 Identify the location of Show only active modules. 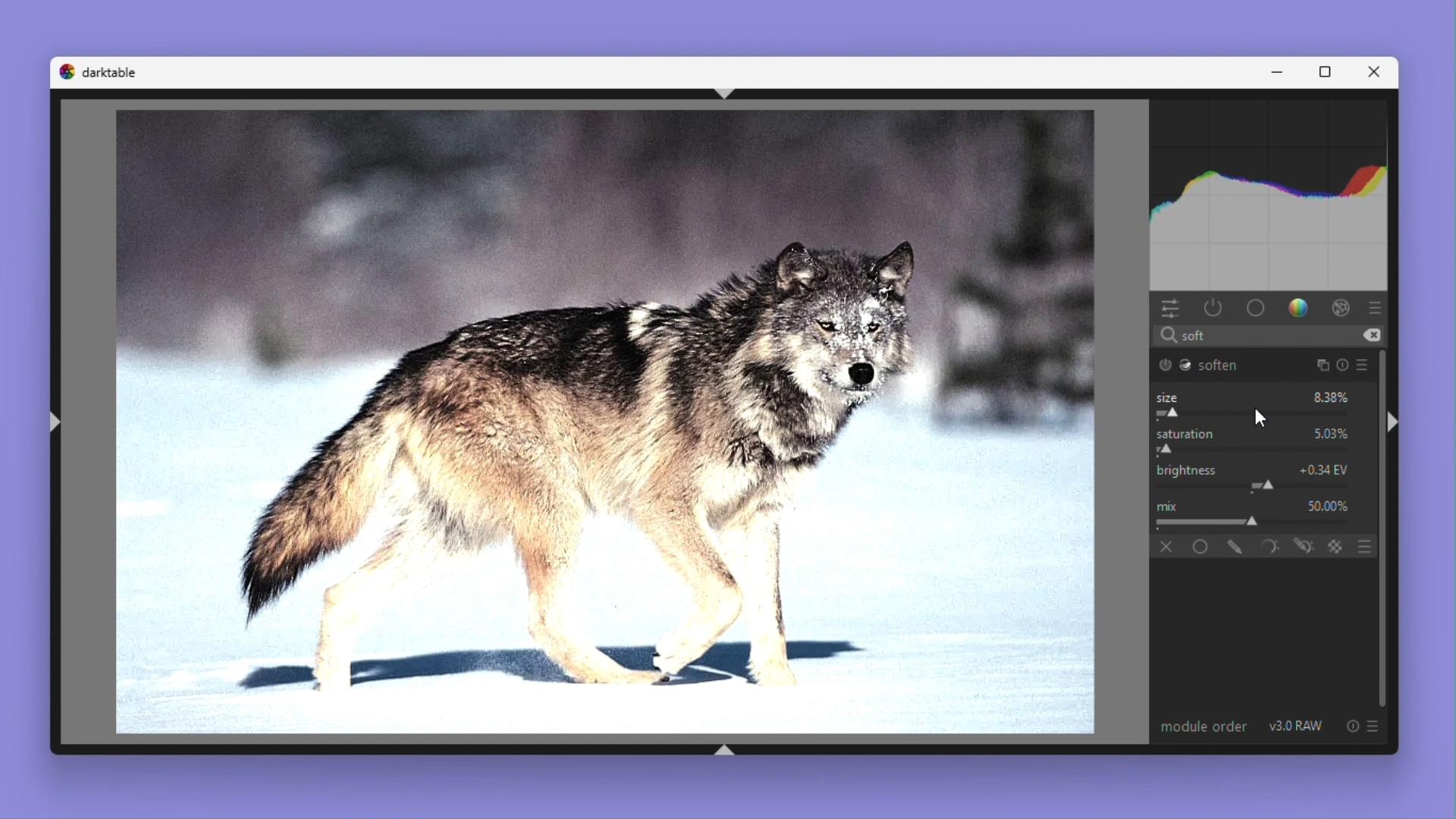
(1214, 308).